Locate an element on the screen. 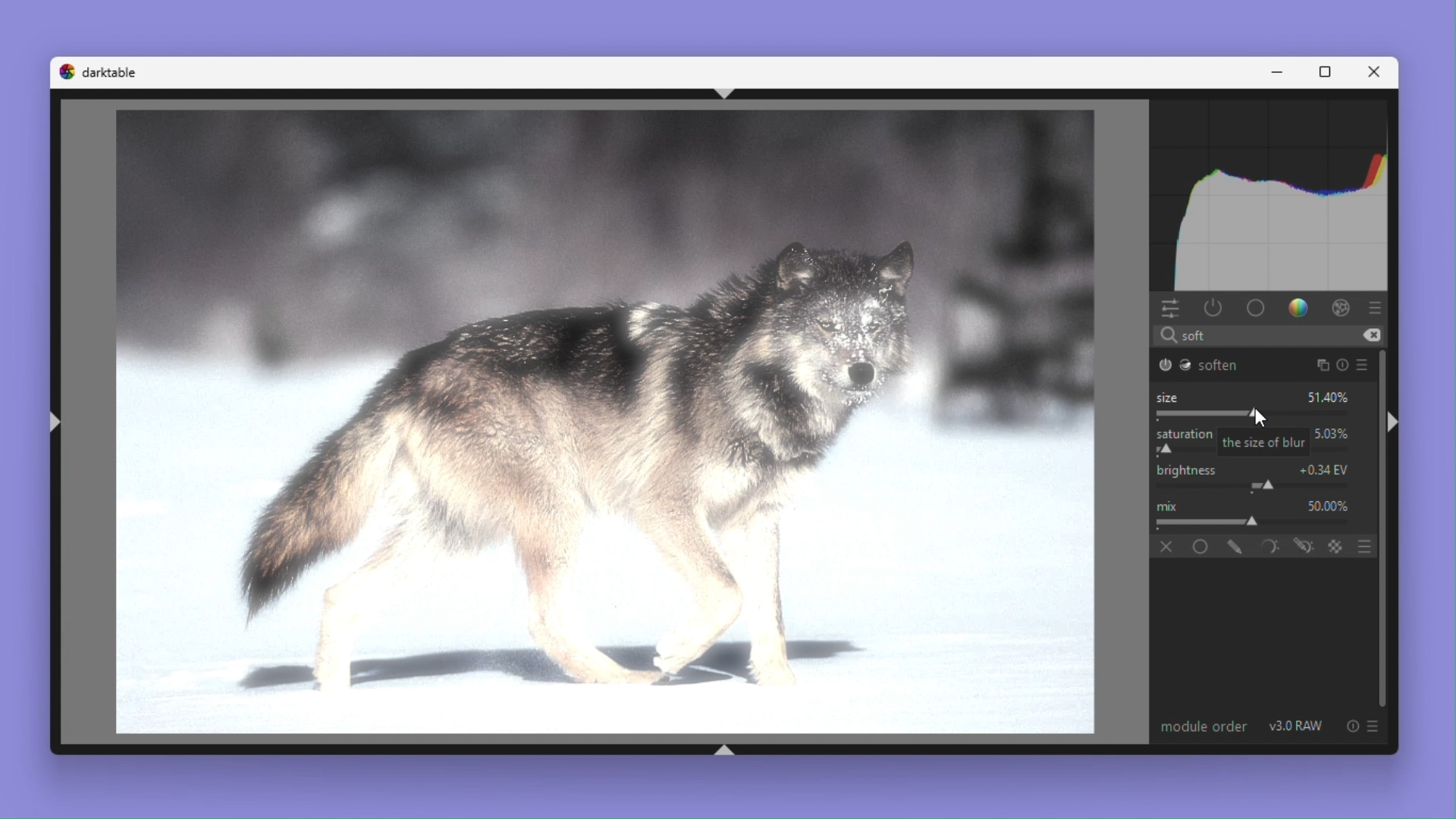 The width and height of the screenshot is (1456, 819). Saturation  is located at coordinates (1185, 434).